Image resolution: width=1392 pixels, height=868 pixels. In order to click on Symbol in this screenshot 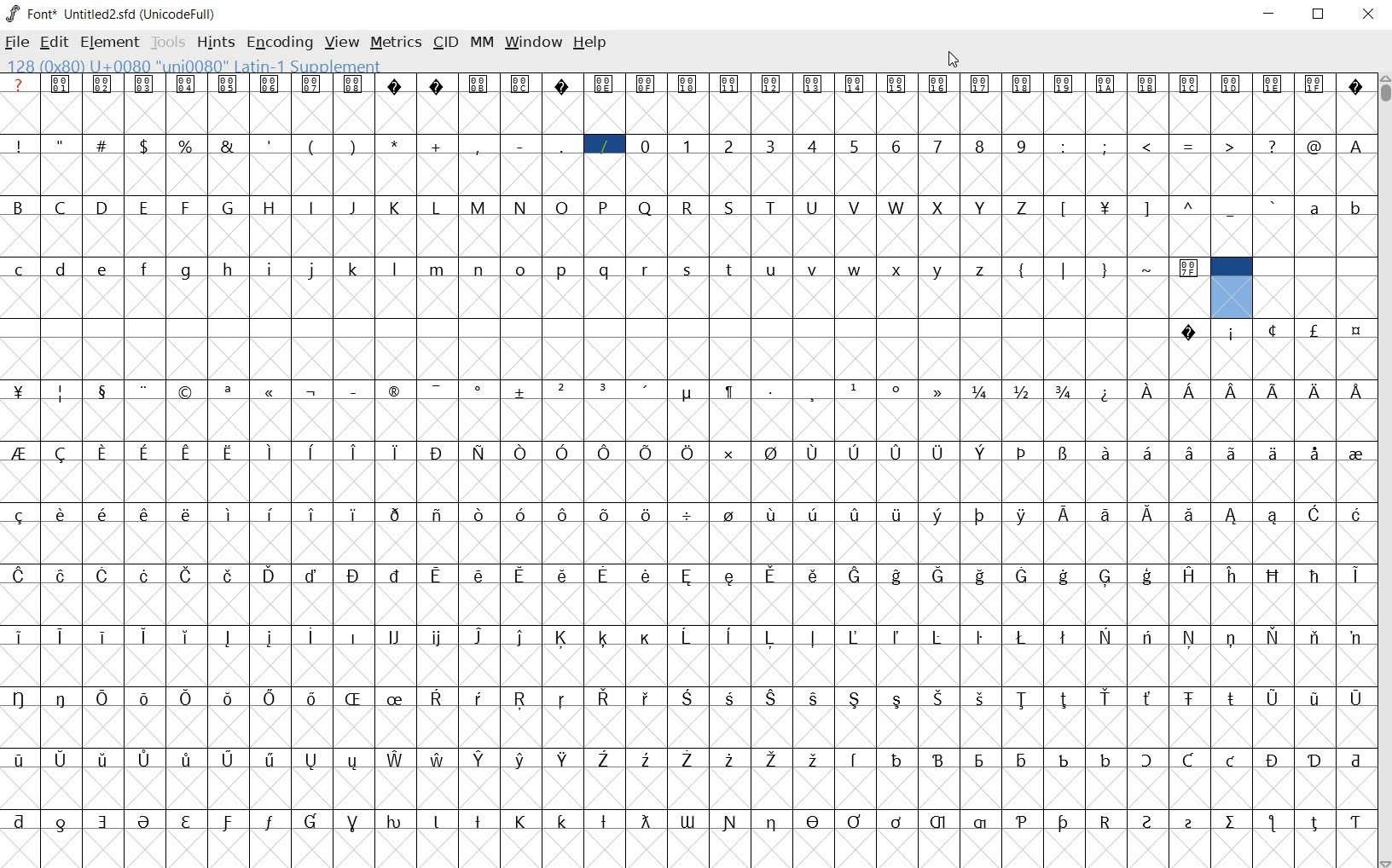, I will do `click(1274, 331)`.